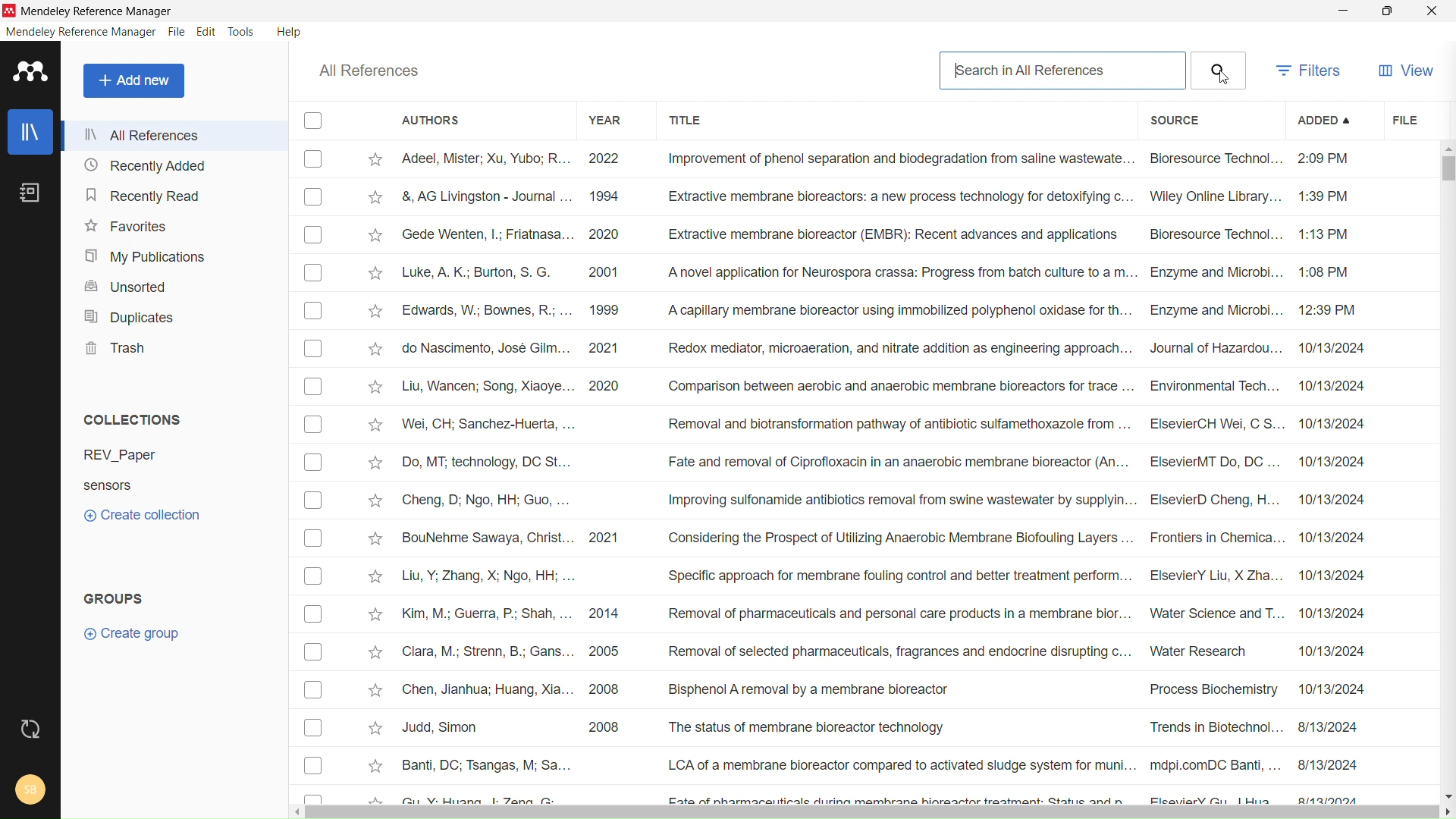 The height and width of the screenshot is (819, 1456). What do you see at coordinates (374, 728) in the screenshot?
I see `Add to favorites` at bounding box center [374, 728].